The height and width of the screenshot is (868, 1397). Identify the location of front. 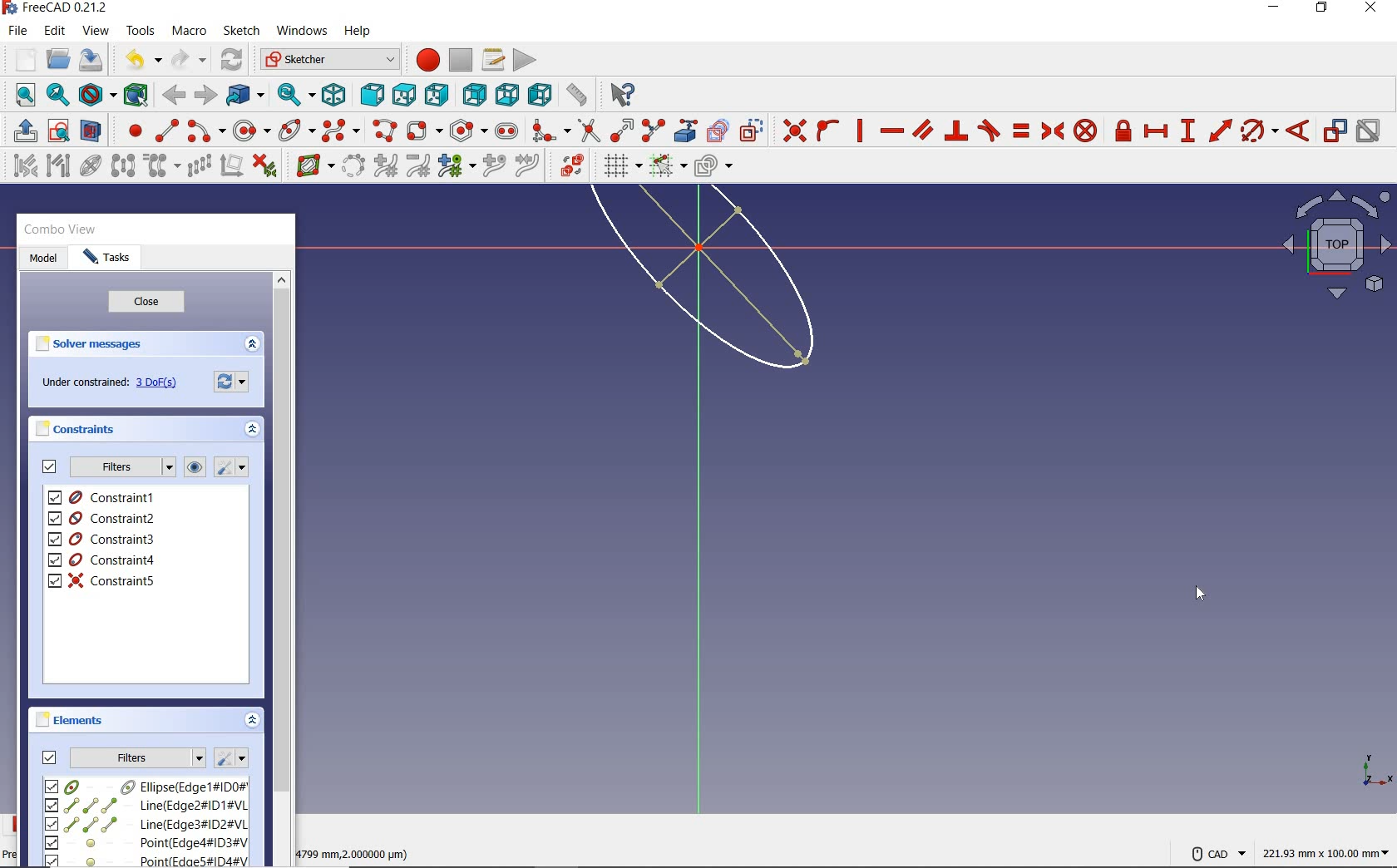
(368, 95).